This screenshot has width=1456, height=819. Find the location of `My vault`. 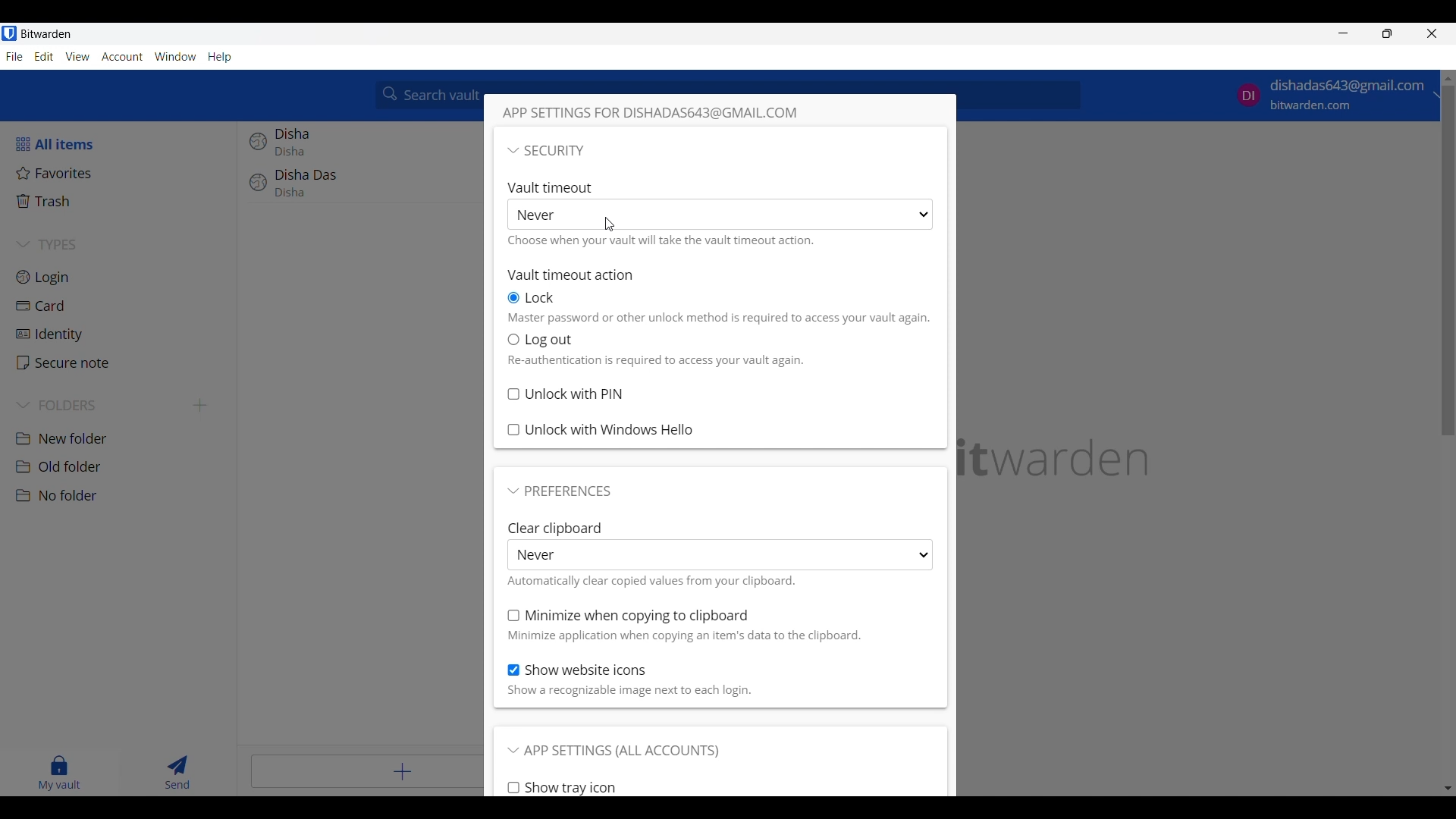

My vault is located at coordinates (60, 773).